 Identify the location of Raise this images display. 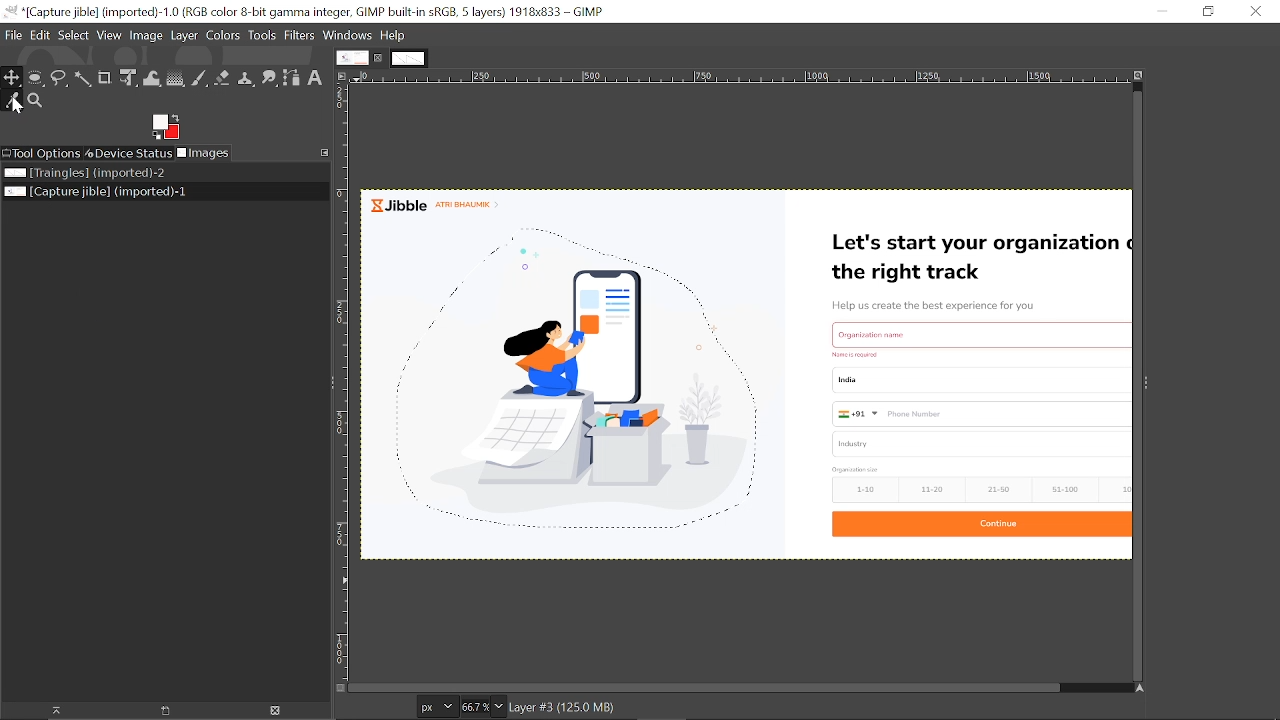
(49, 711).